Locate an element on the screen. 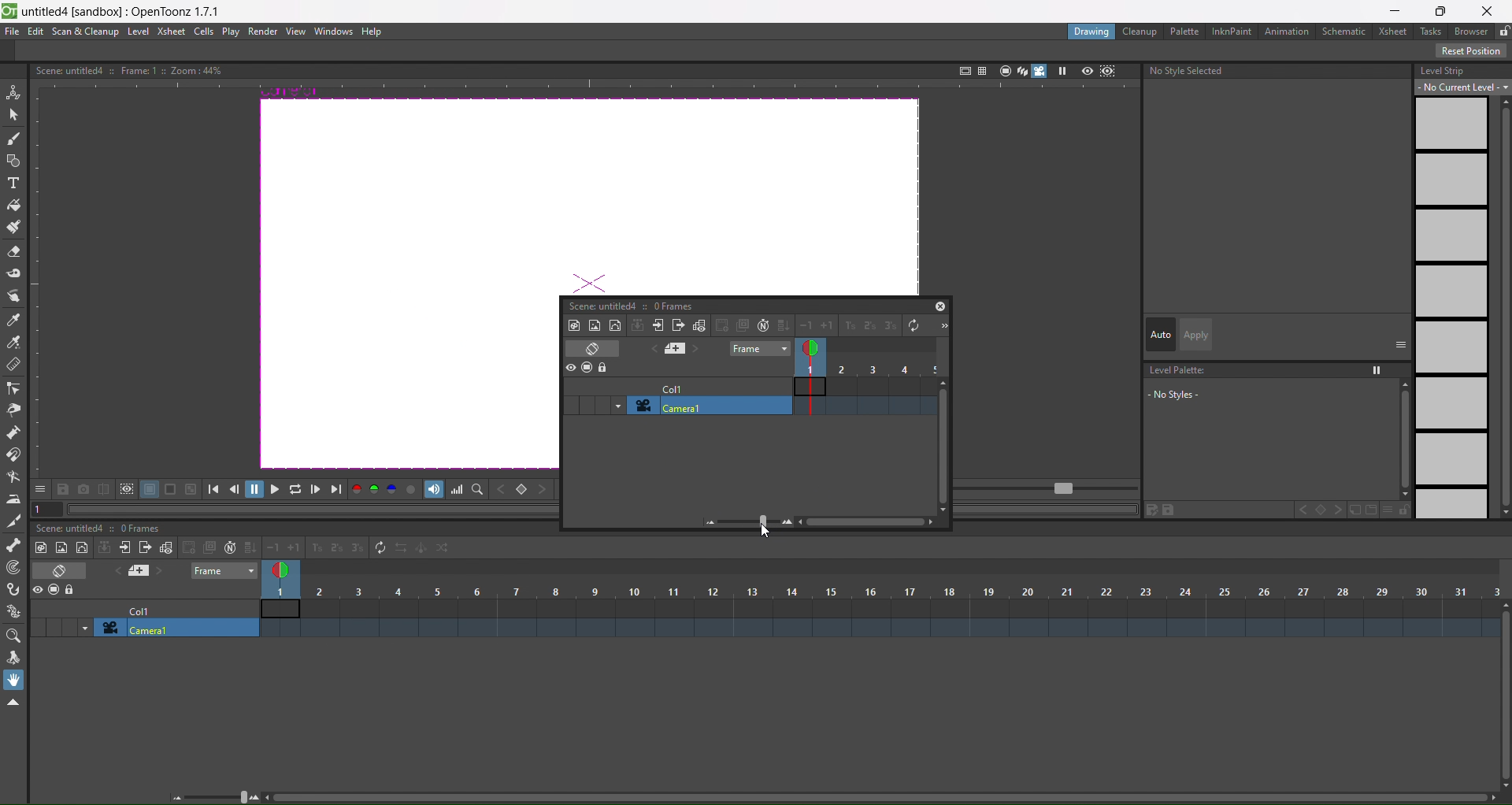 The image size is (1512, 805). render is located at coordinates (264, 32).